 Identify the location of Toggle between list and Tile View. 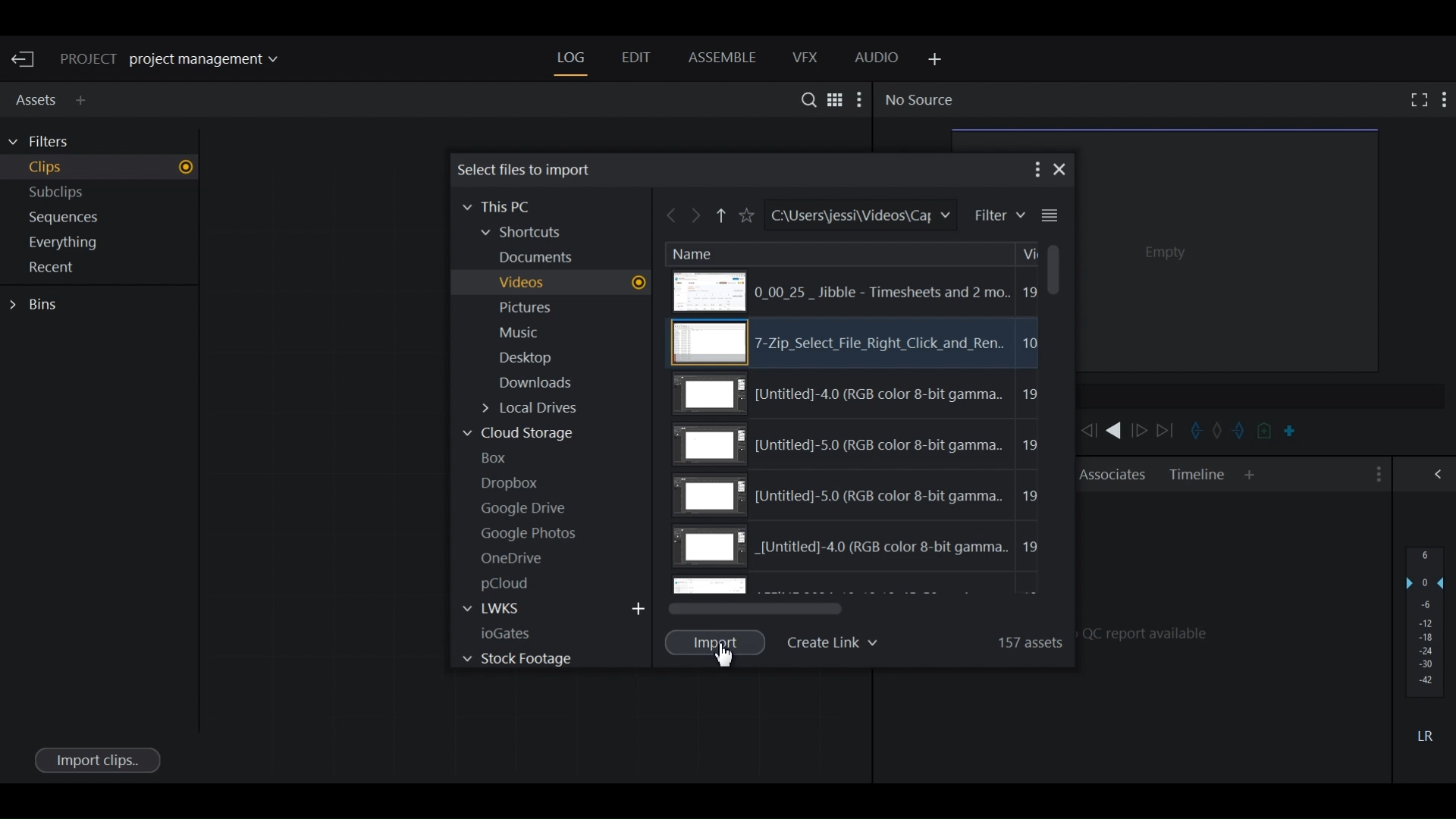
(833, 99).